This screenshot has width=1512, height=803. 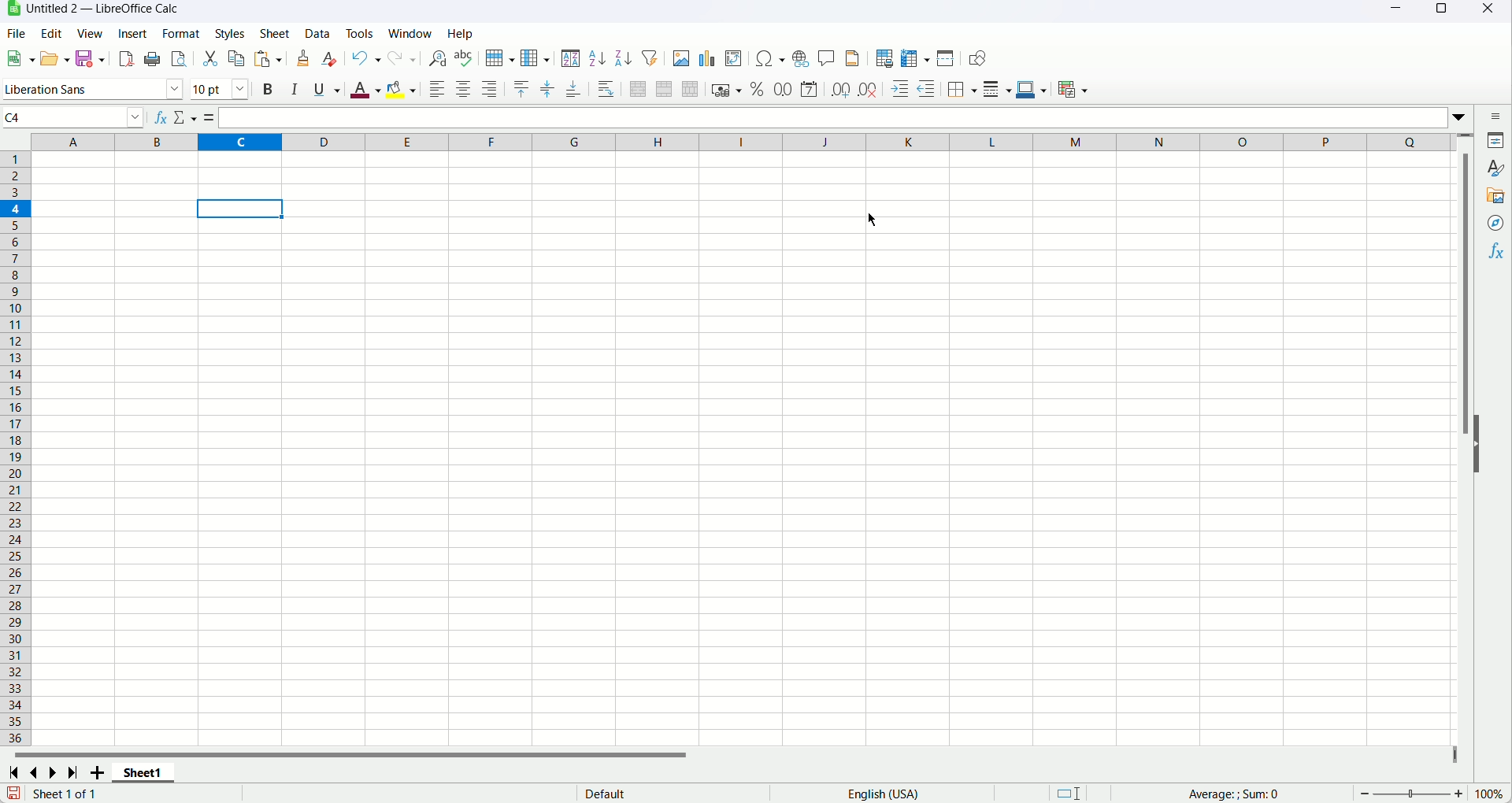 What do you see at coordinates (90, 35) in the screenshot?
I see `View` at bounding box center [90, 35].